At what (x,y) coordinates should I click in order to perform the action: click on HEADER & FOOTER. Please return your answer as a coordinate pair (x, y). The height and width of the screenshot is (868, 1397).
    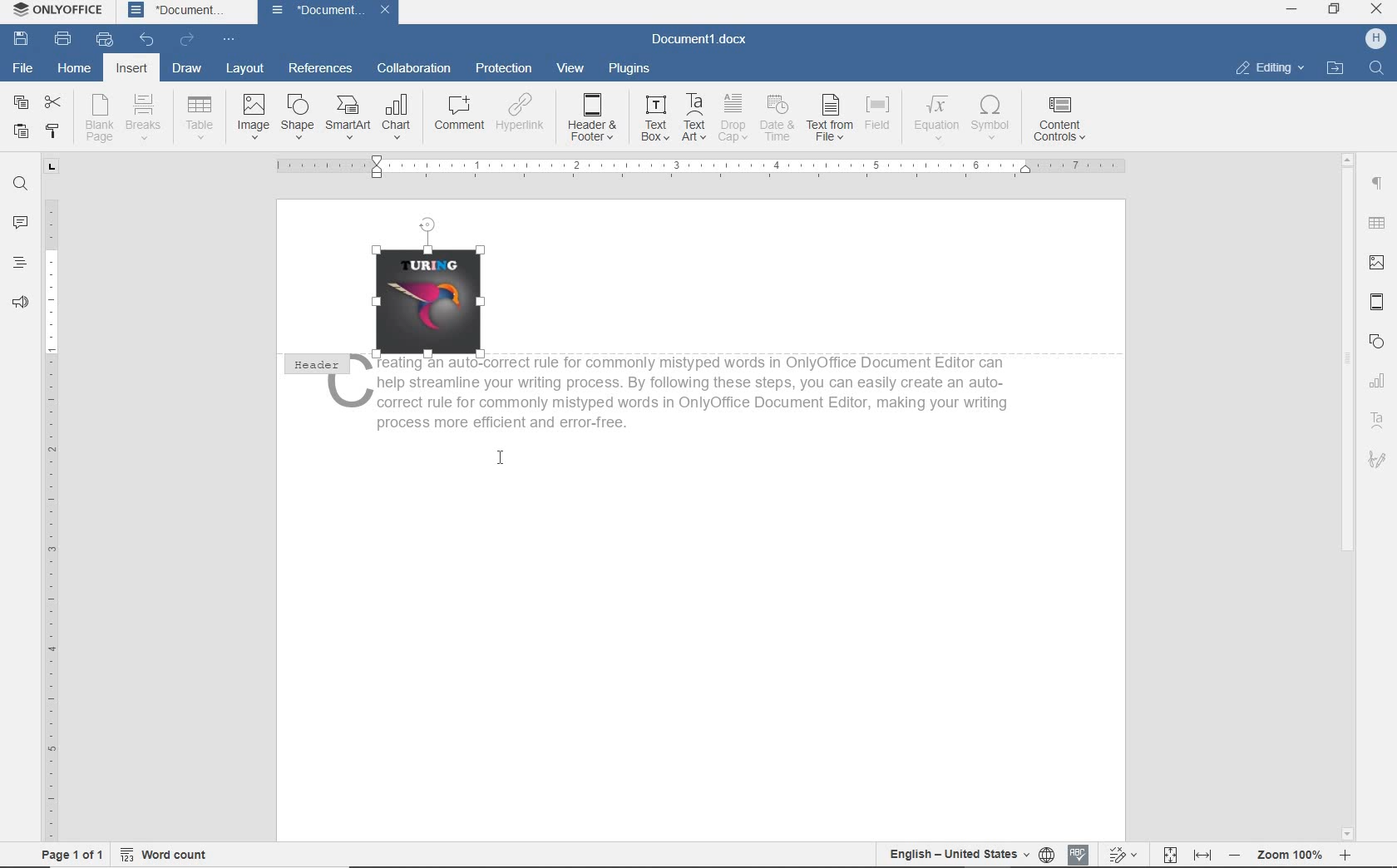
    Looking at the image, I should click on (1377, 303).